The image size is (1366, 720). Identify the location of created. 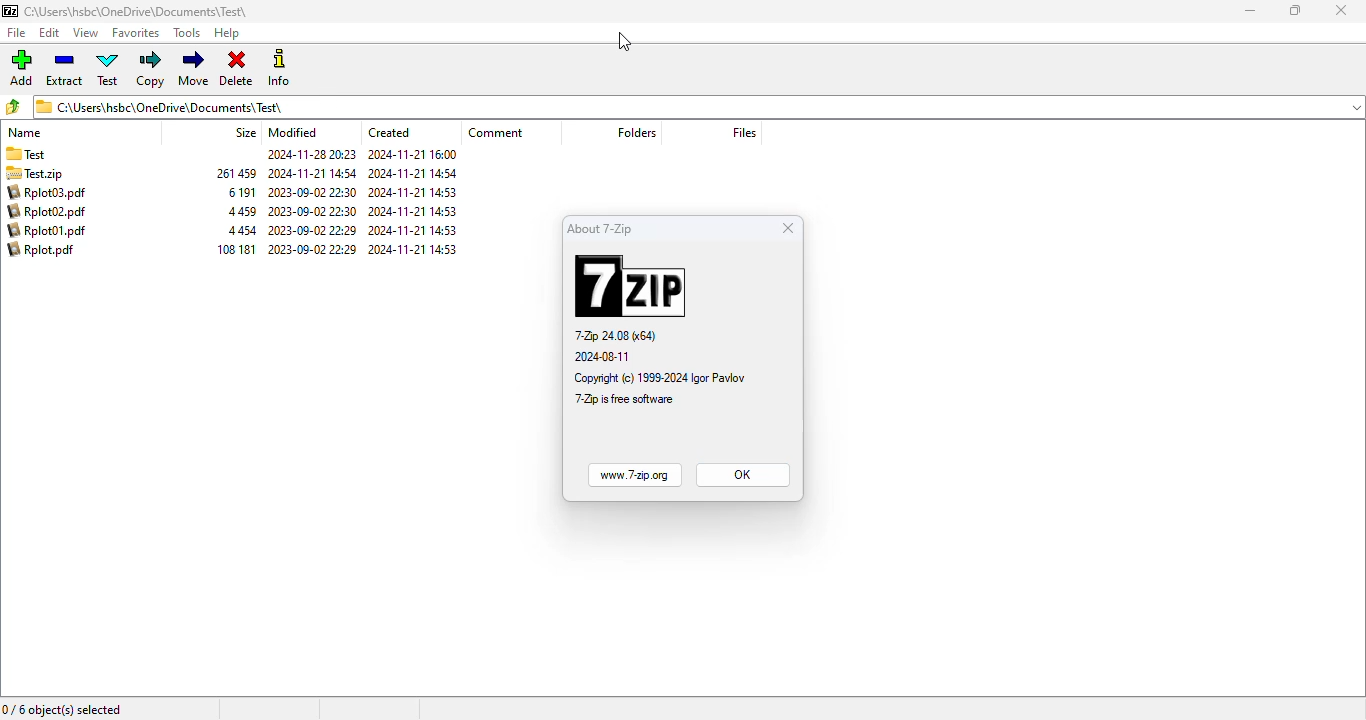
(388, 132).